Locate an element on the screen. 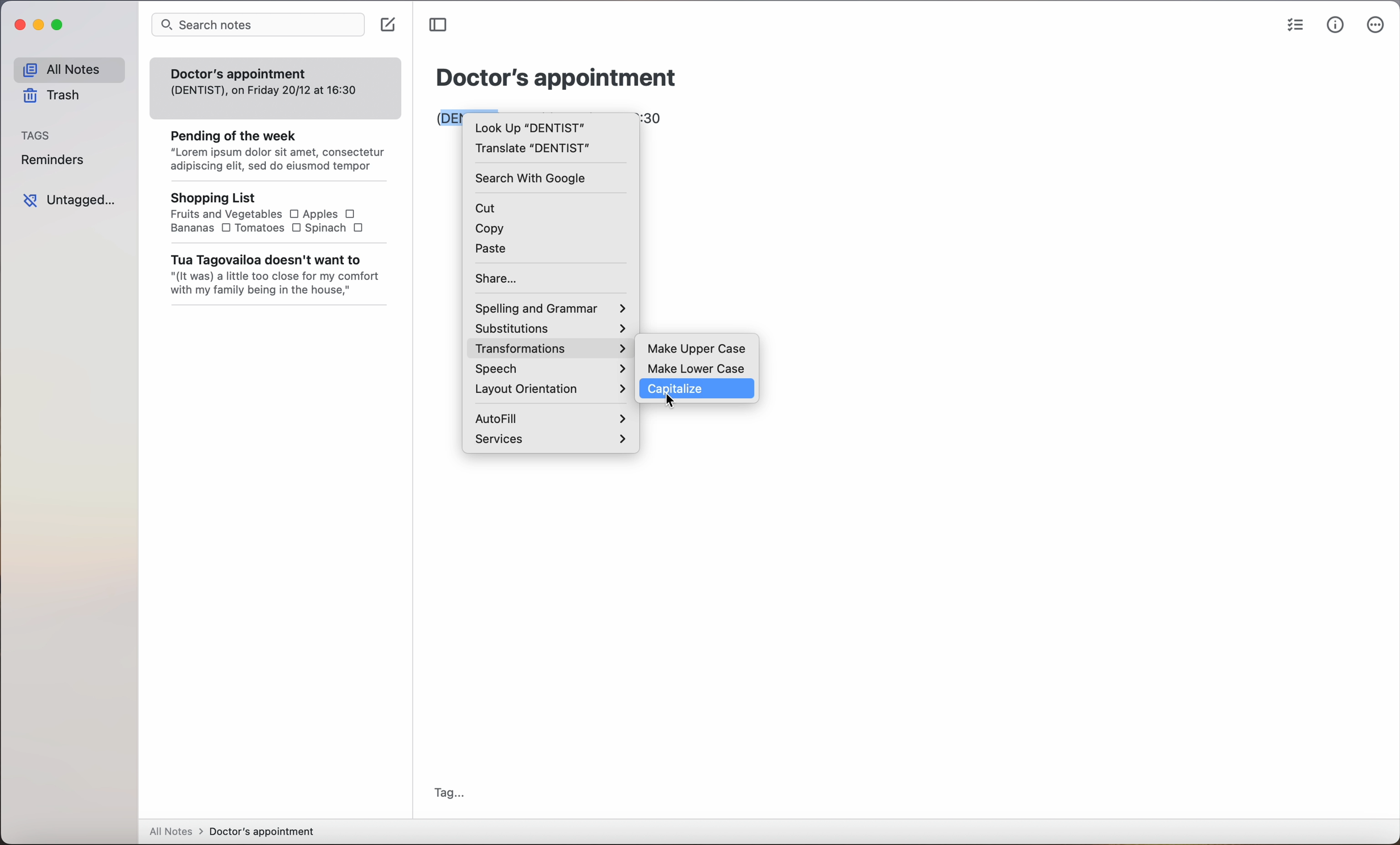 The width and height of the screenshot is (1400, 845). make lower case is located at coordinates (698, 367).